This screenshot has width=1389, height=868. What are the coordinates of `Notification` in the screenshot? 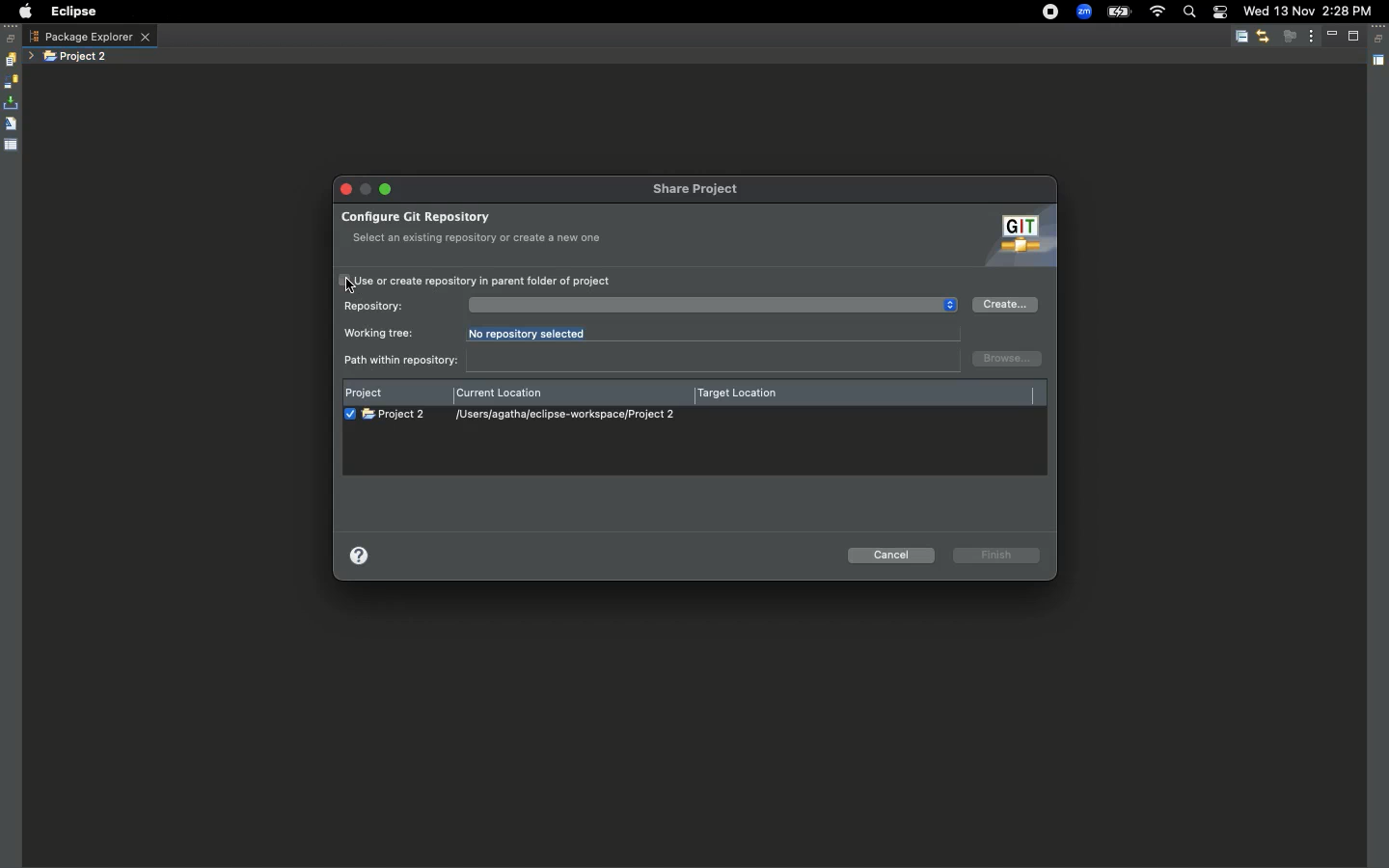 It's located at (1219, 14).